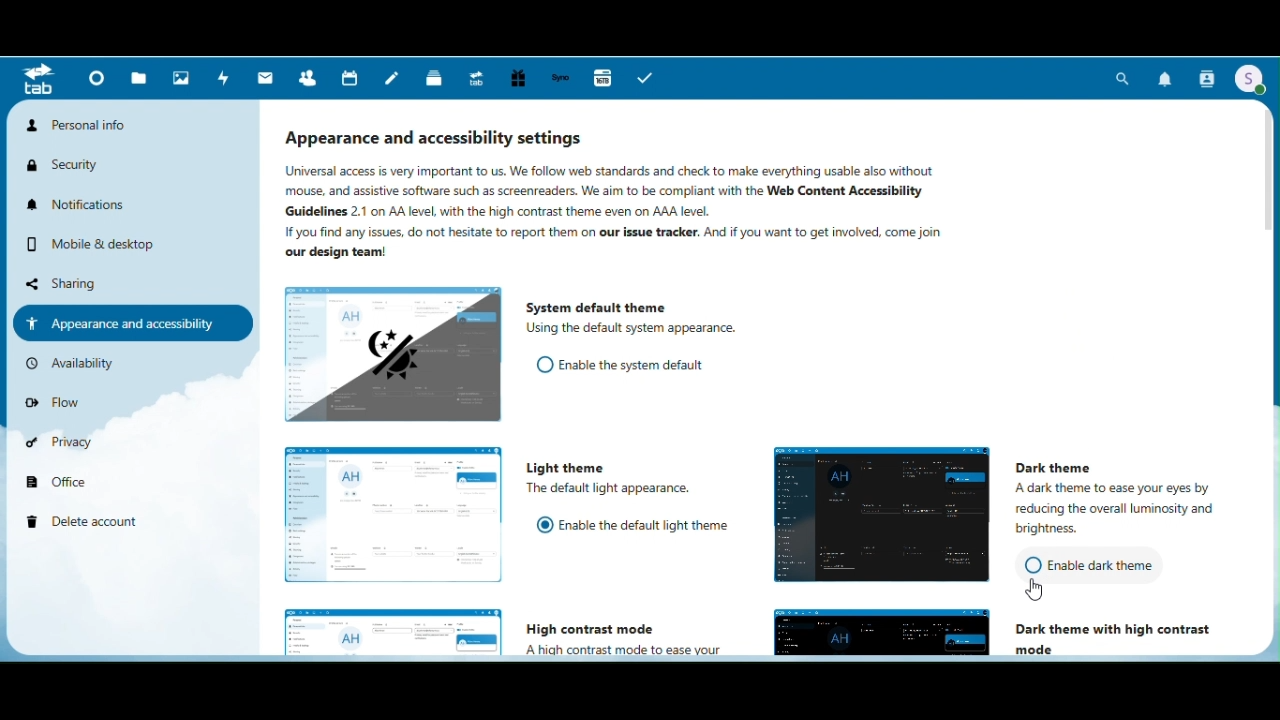 Image resolution: width=1280 pixels, height=720 pixels. I want to click on deck, so click(434, 79).